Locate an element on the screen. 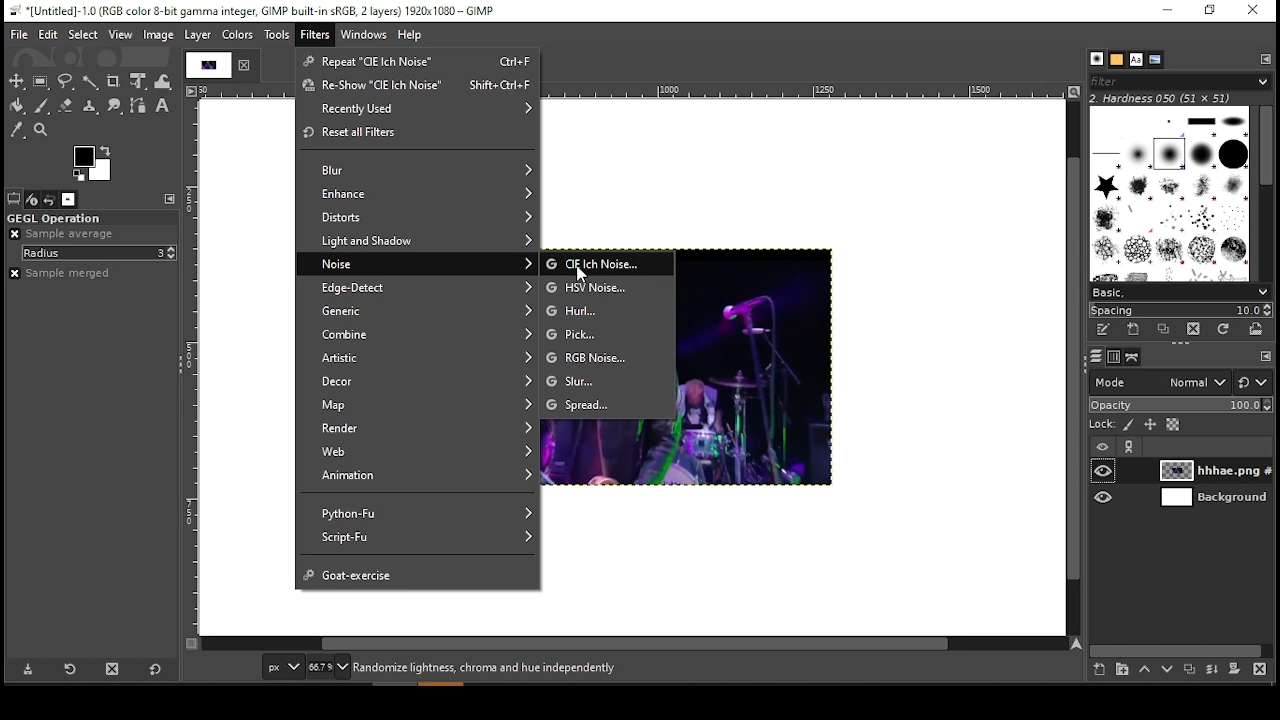 This screenshot has height=720, width=1280. new layer group is located at coordinates (1120, 670).